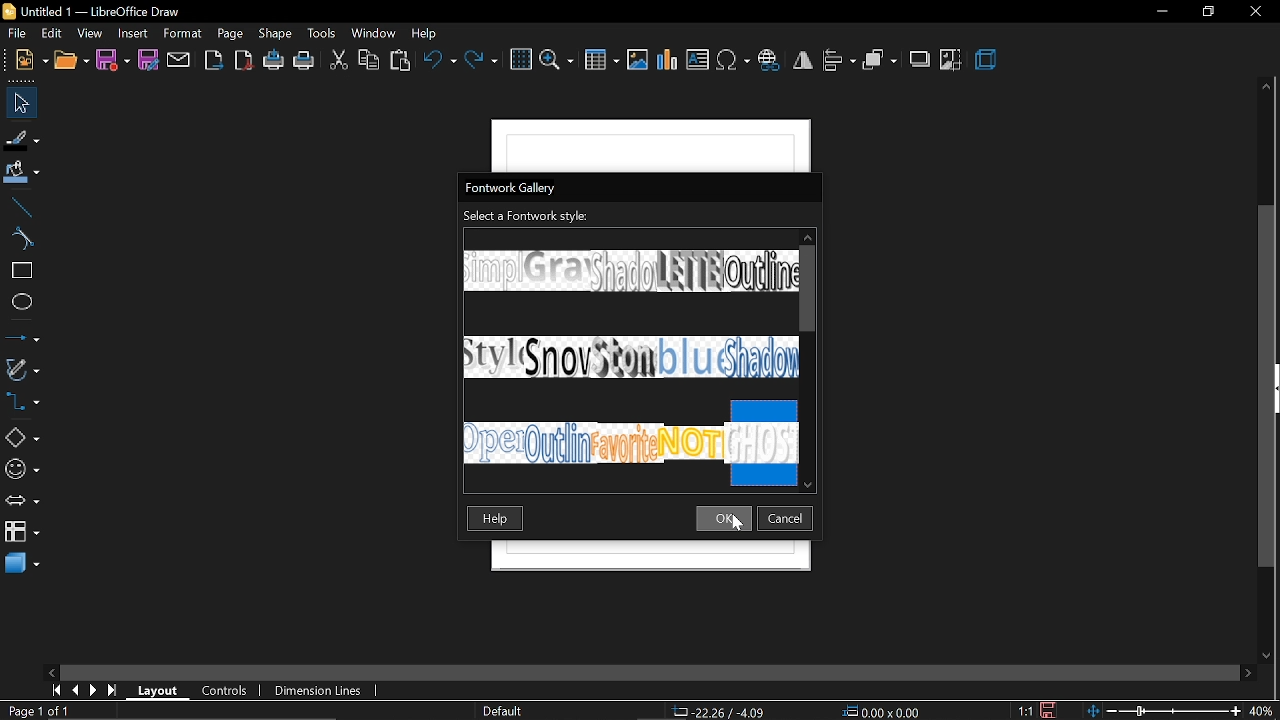 The width and height of the screenshot is (1280, 720). Describe the element at coordinates (986, 60) in the screenshot. I see `3d effect` at that location.